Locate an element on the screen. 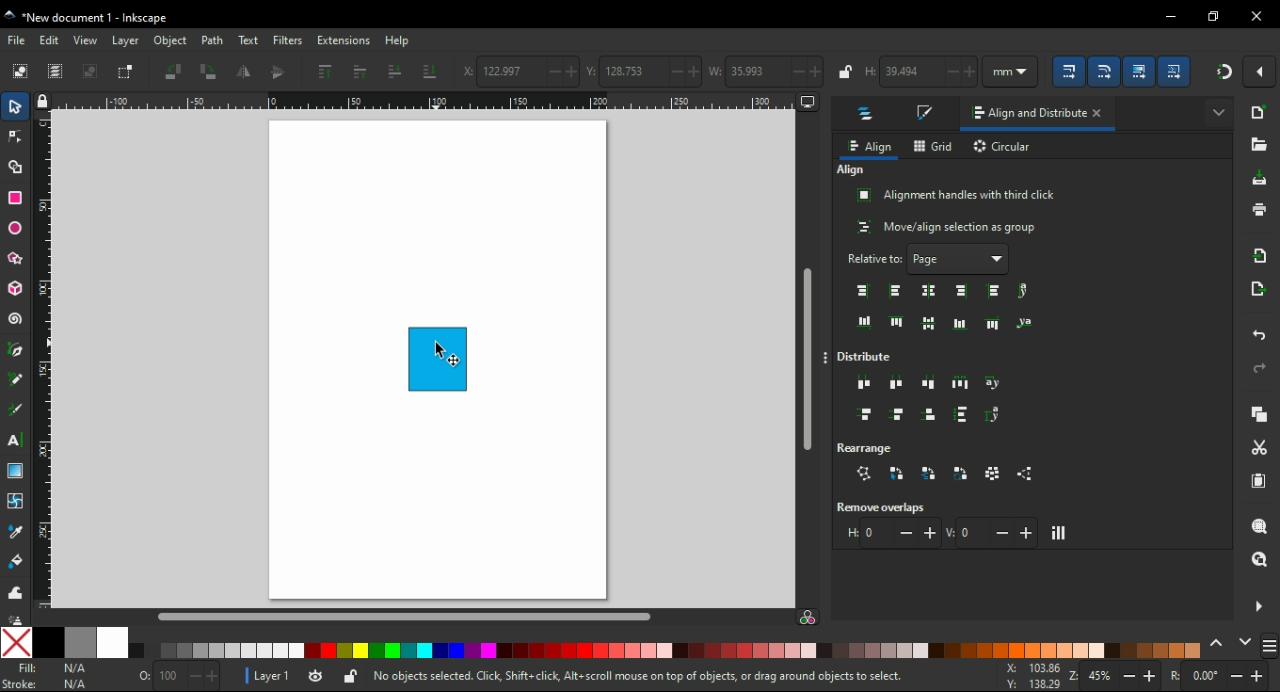 The height and width of the screenshot is (692, 1280). snap is located at coordinates (1226, 75).